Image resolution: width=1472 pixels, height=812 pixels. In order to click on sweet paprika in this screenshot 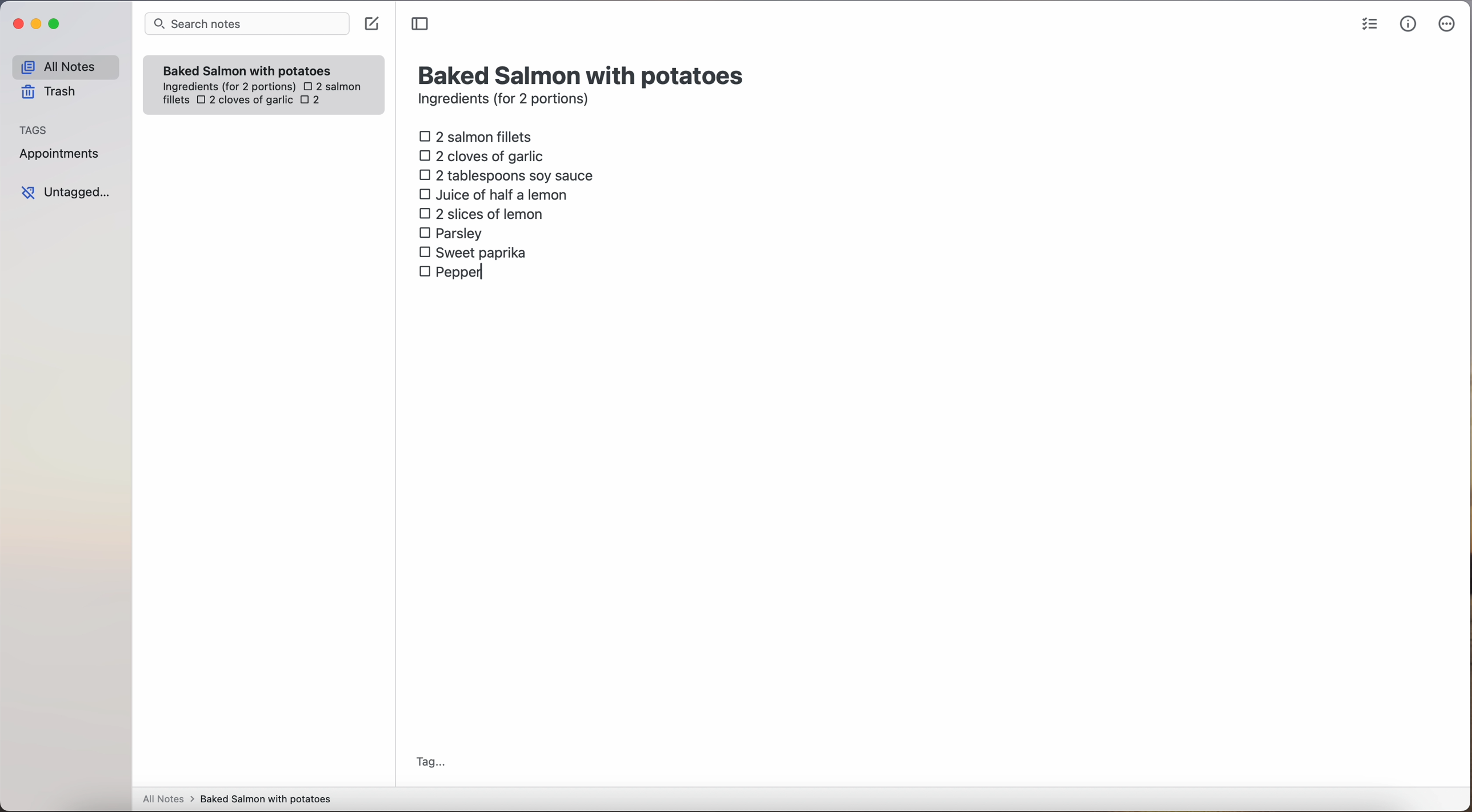, I will do `click(475, 253)`.